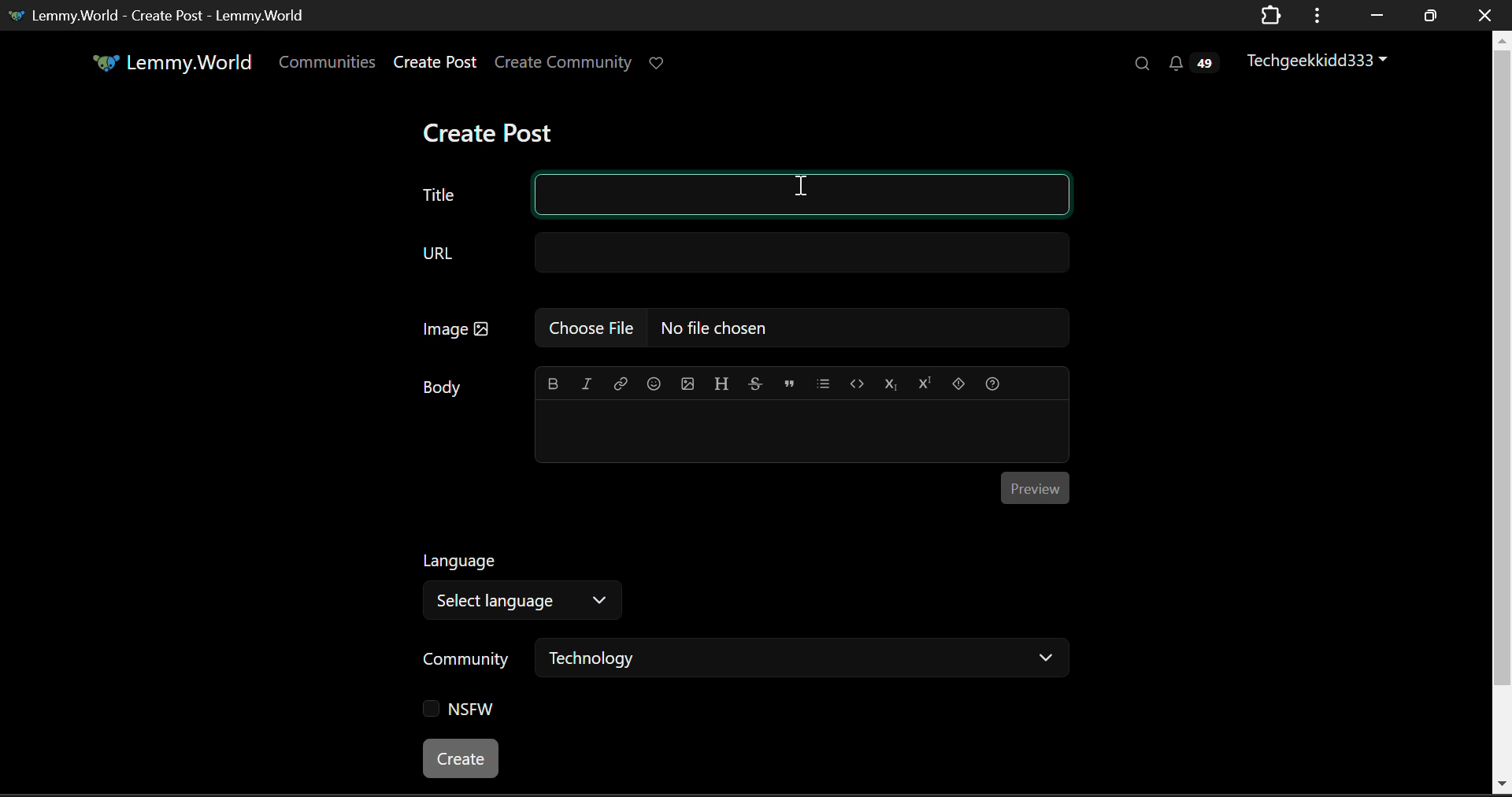 This screenshot has width=1512, height=797. I want to click on Close Window, so click(1487, 14).